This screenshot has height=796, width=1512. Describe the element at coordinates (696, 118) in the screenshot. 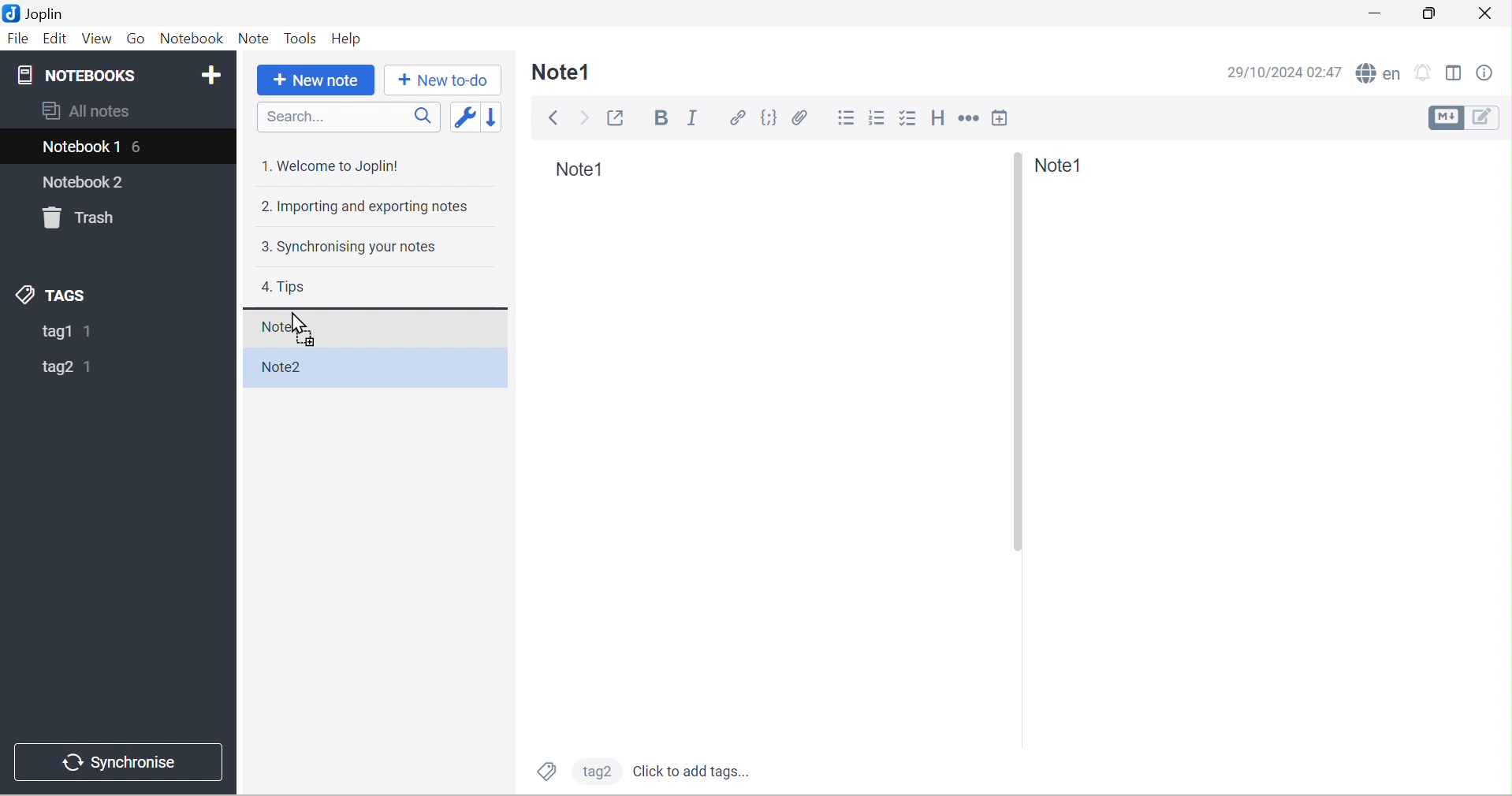

I see `Italic` at that location.